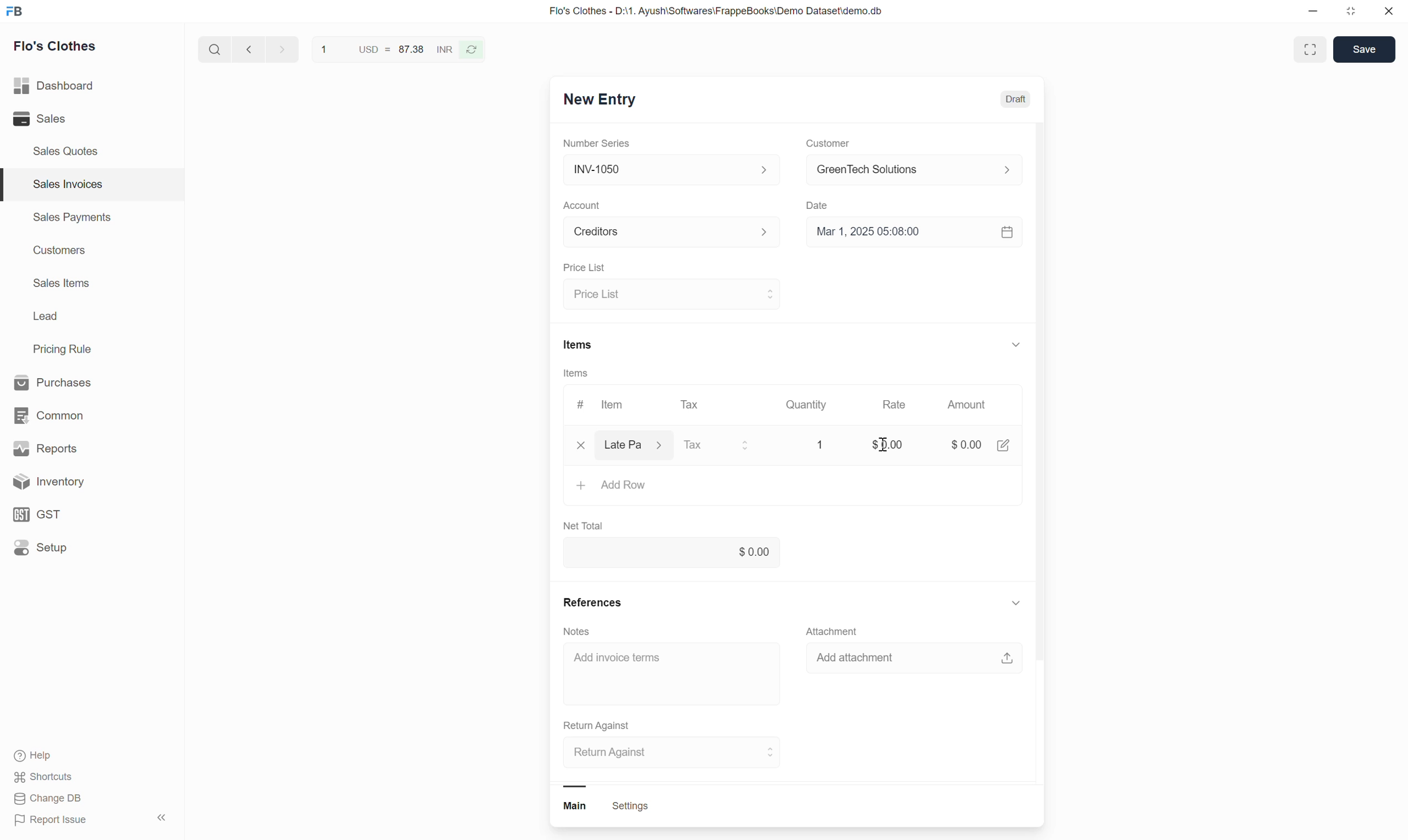 The image size is (1408, 840). Describe the element at coordinates (71, 381) in the screenshot. I see `Purchases ` at that location.